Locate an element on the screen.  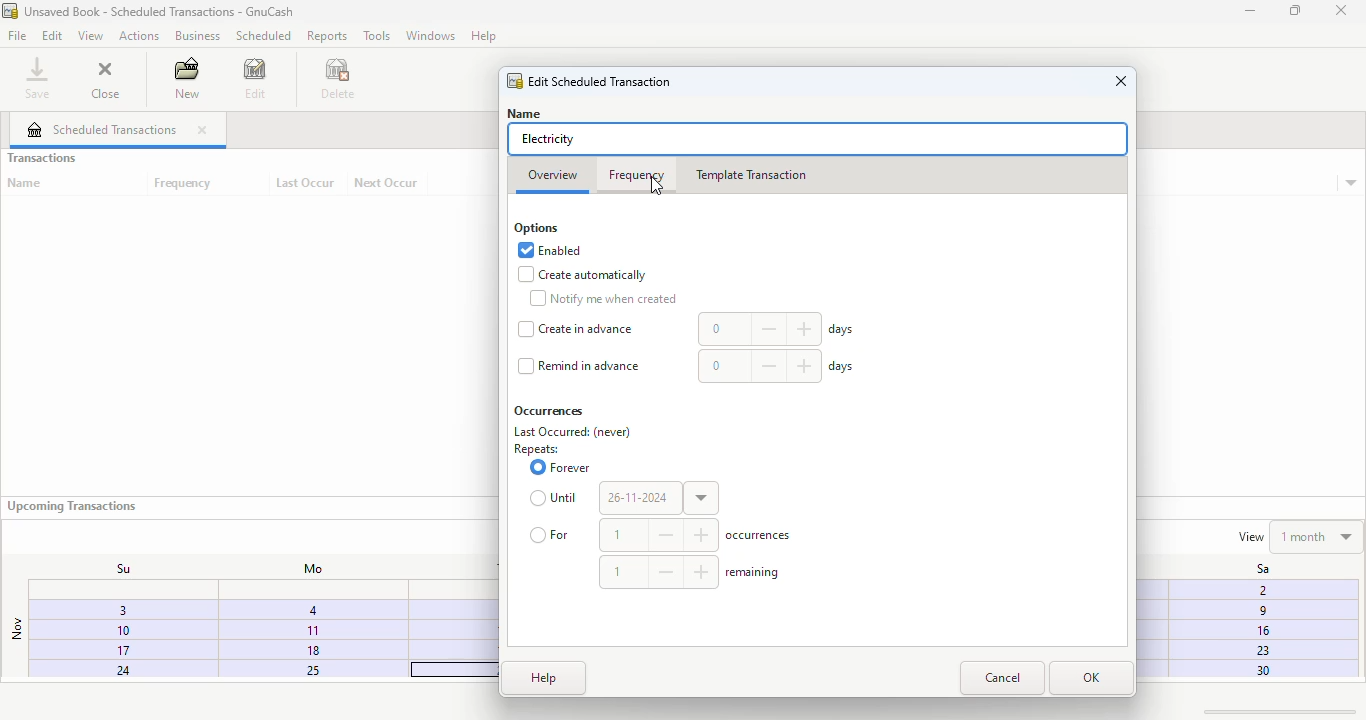
close is located at coordinates (1341, 11).